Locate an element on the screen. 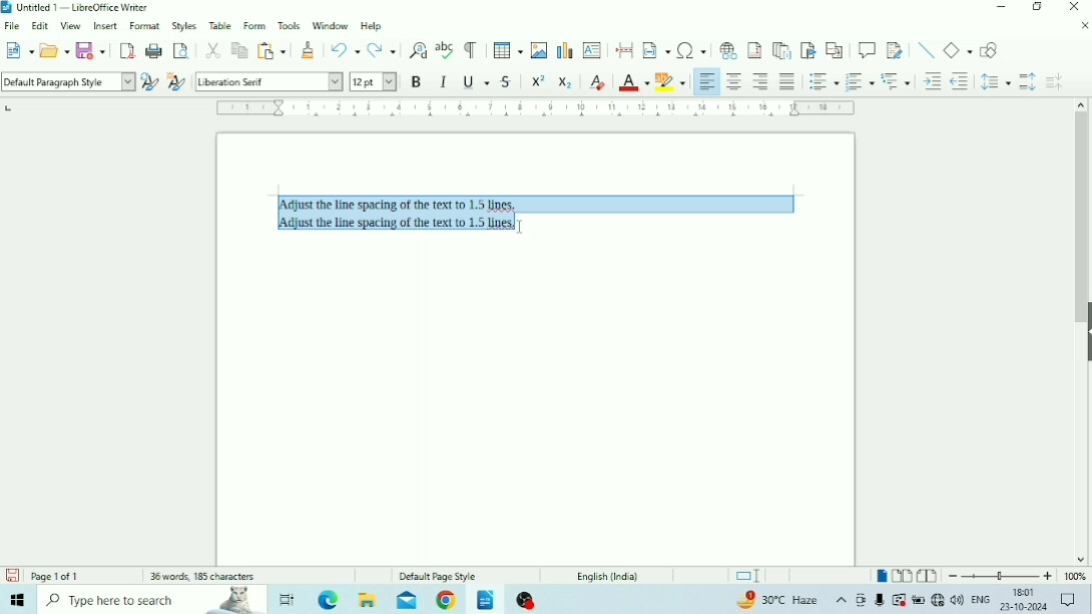  Zoom Factor is located at coordinates (1077, 576).